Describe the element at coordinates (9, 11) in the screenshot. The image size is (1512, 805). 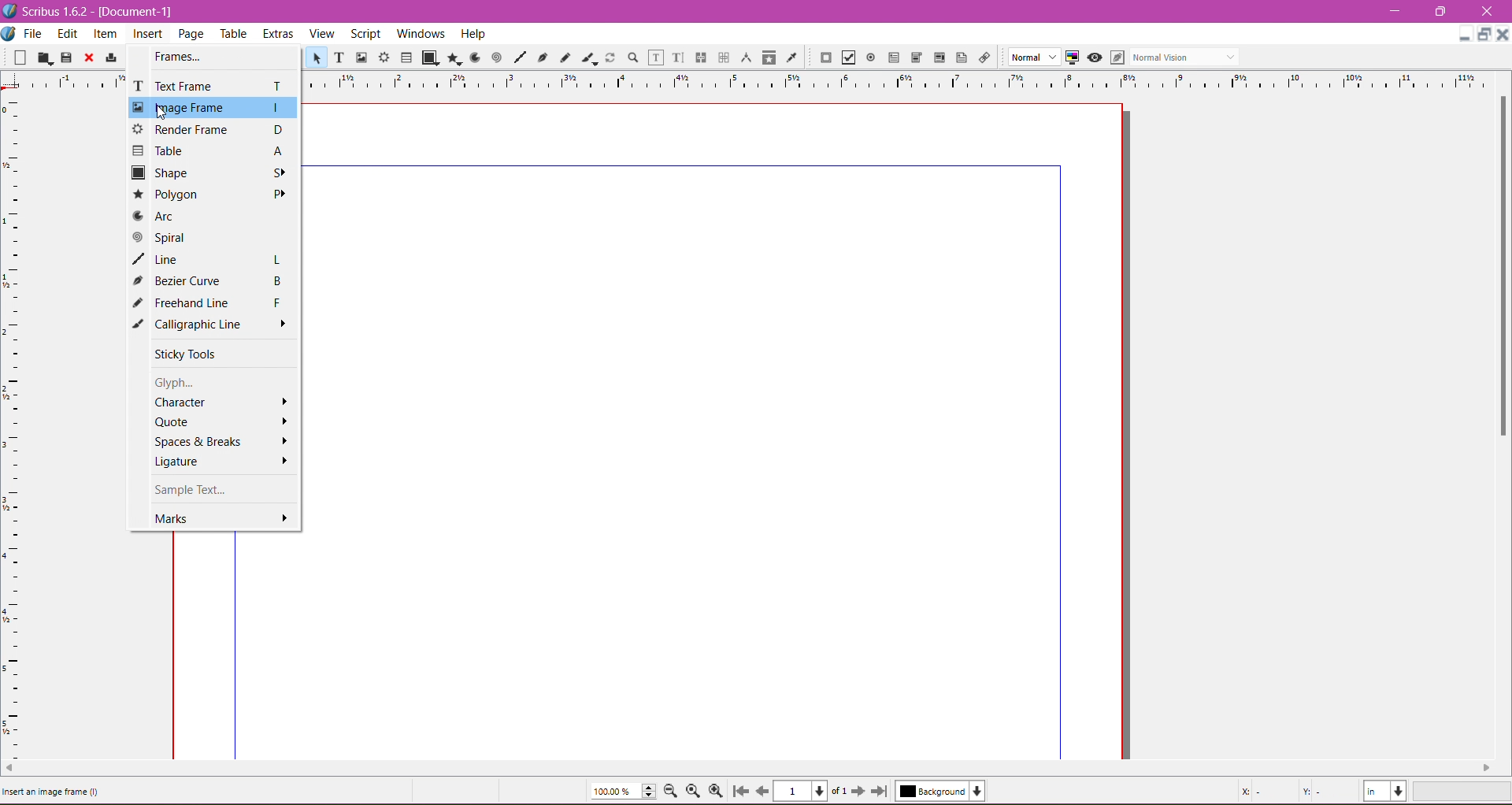
I see `Application Logo` at that location.